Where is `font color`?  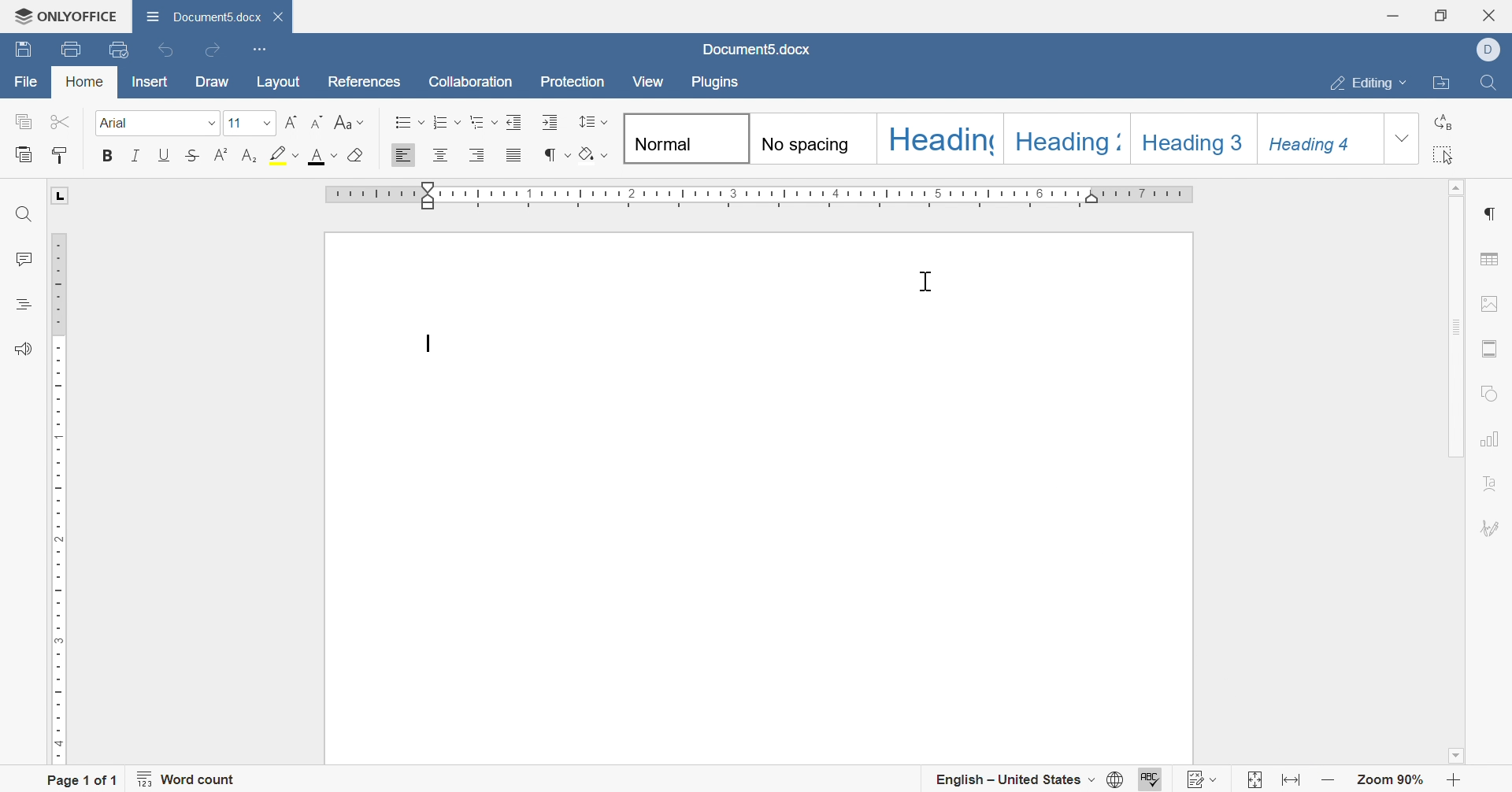 font color is located at coordinates (323, 157).